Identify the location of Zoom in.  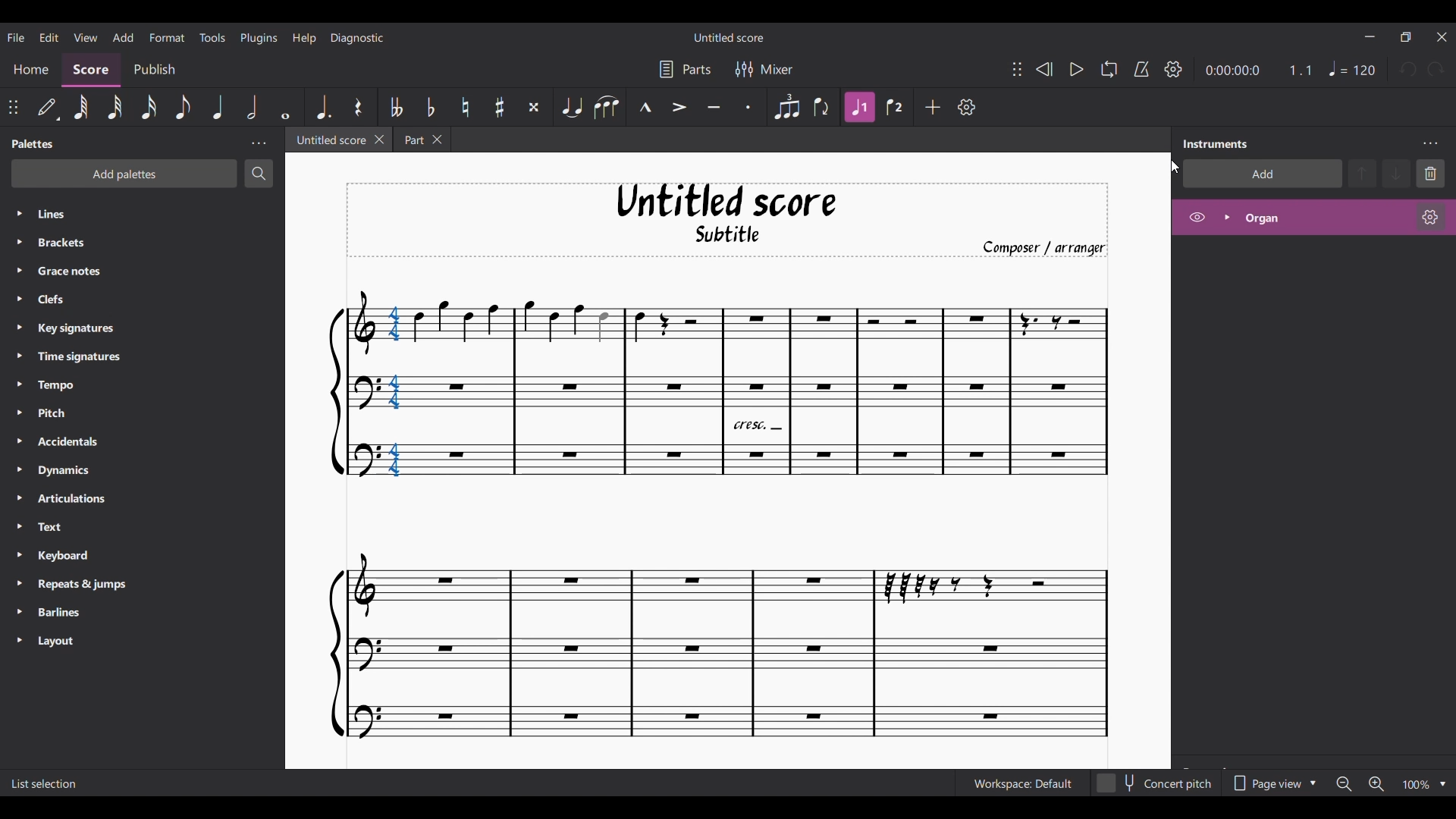
(1376, 784).